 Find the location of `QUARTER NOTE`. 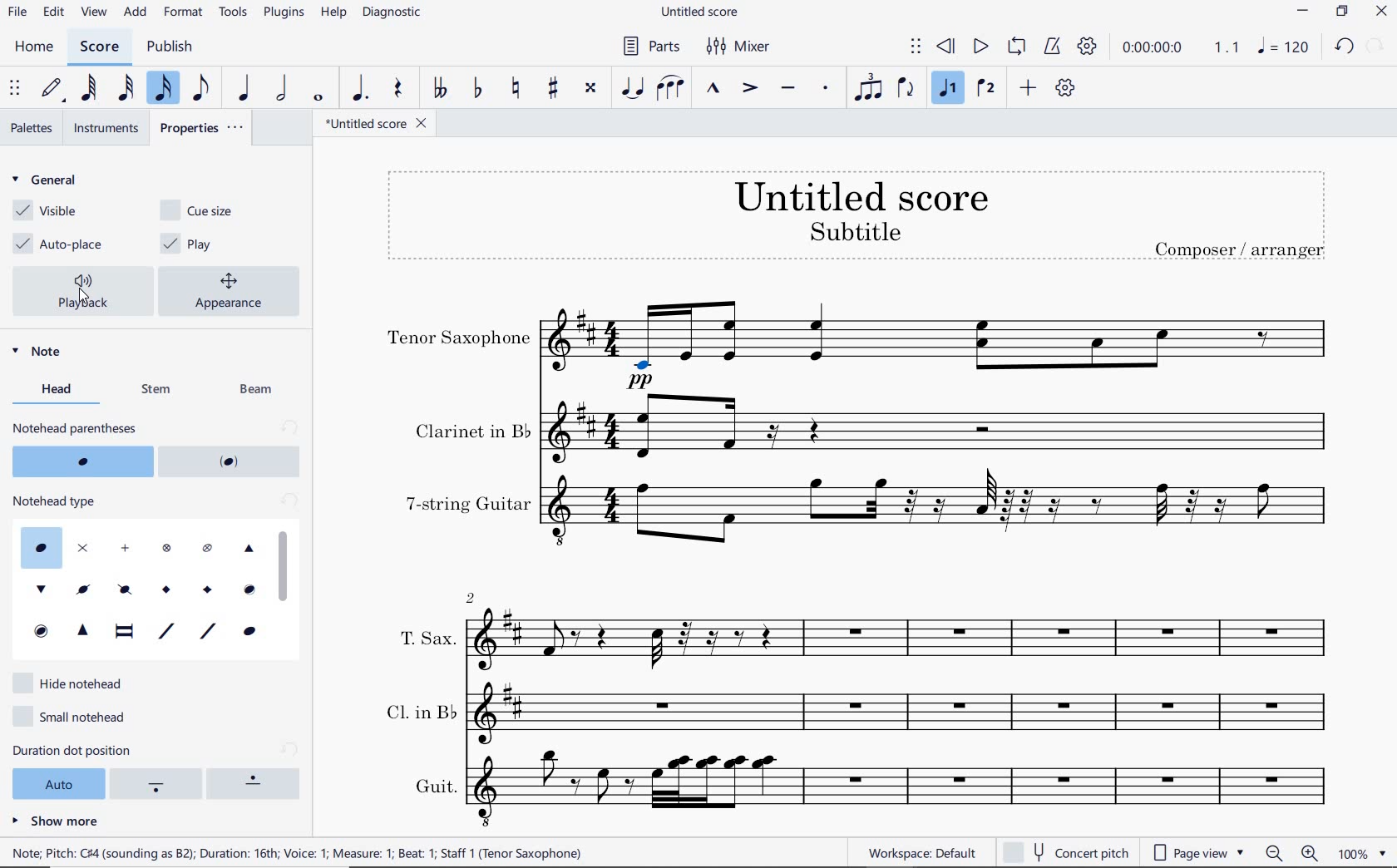

QUARTER NOTE is located at coordinates (245, 88).